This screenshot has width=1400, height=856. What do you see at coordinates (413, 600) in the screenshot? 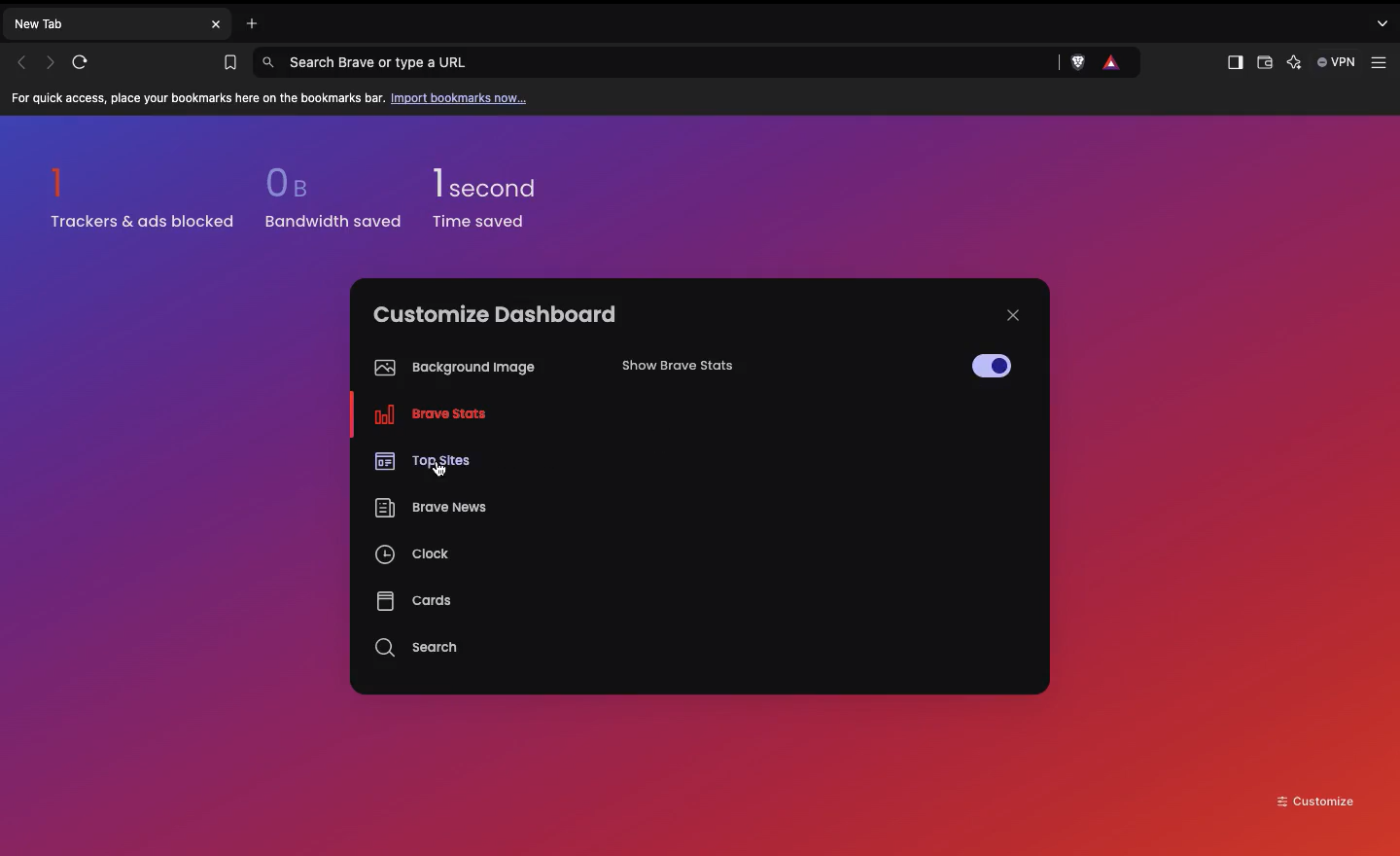
I see `Cards` at bounding box center [413, 600].